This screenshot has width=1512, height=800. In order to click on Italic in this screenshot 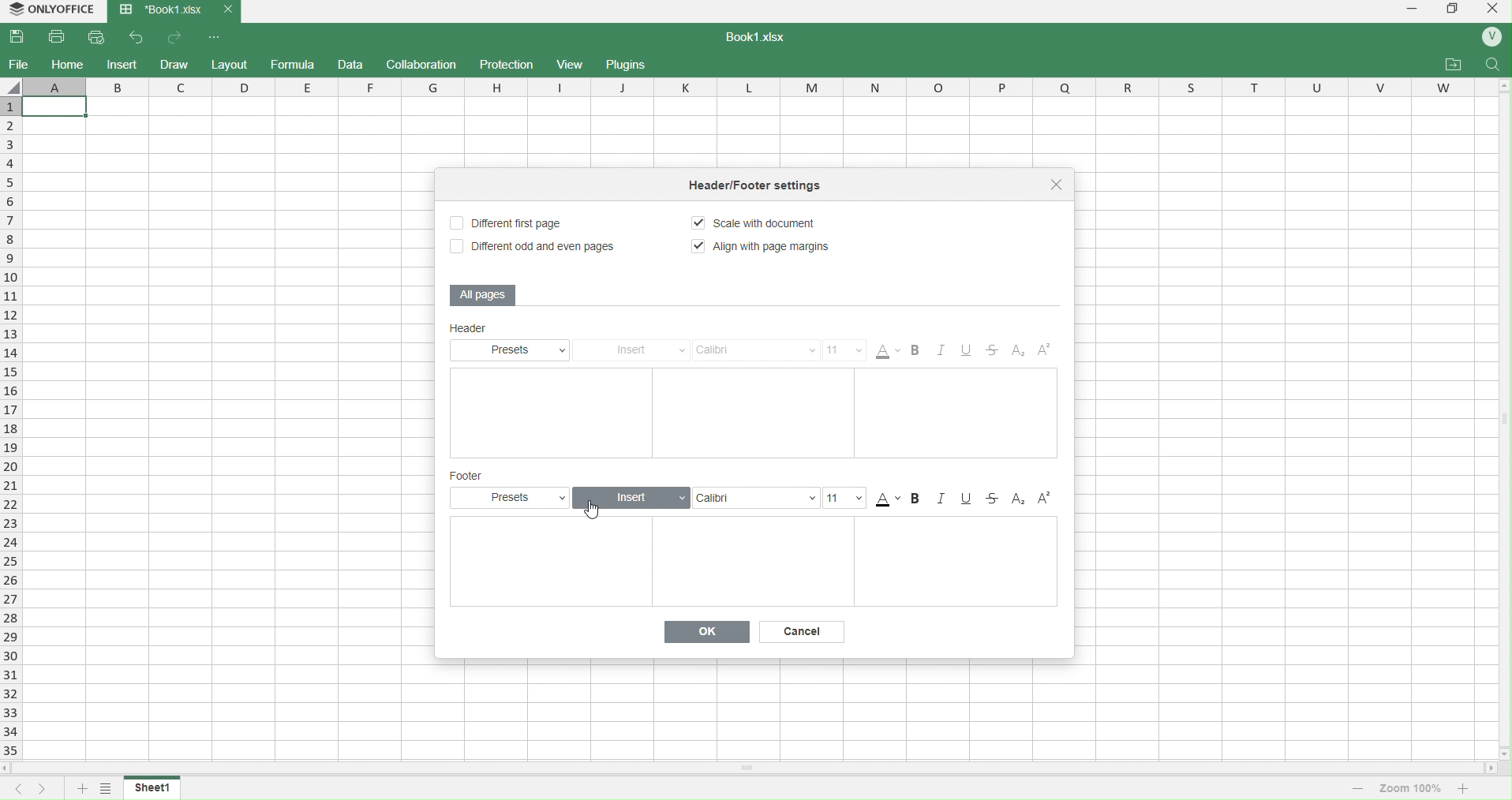, I will do `click(945, 499)`.